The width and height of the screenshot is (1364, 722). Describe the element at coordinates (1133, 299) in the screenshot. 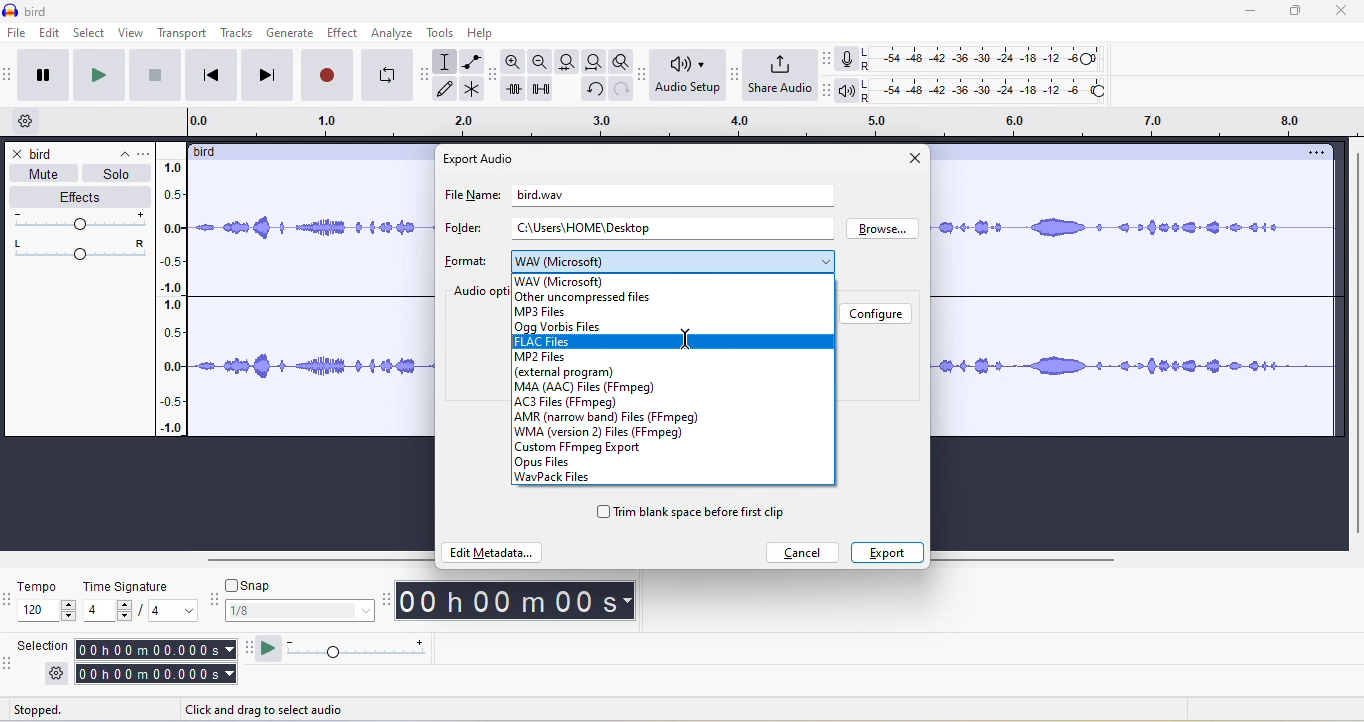

I see `record audio` at that location.